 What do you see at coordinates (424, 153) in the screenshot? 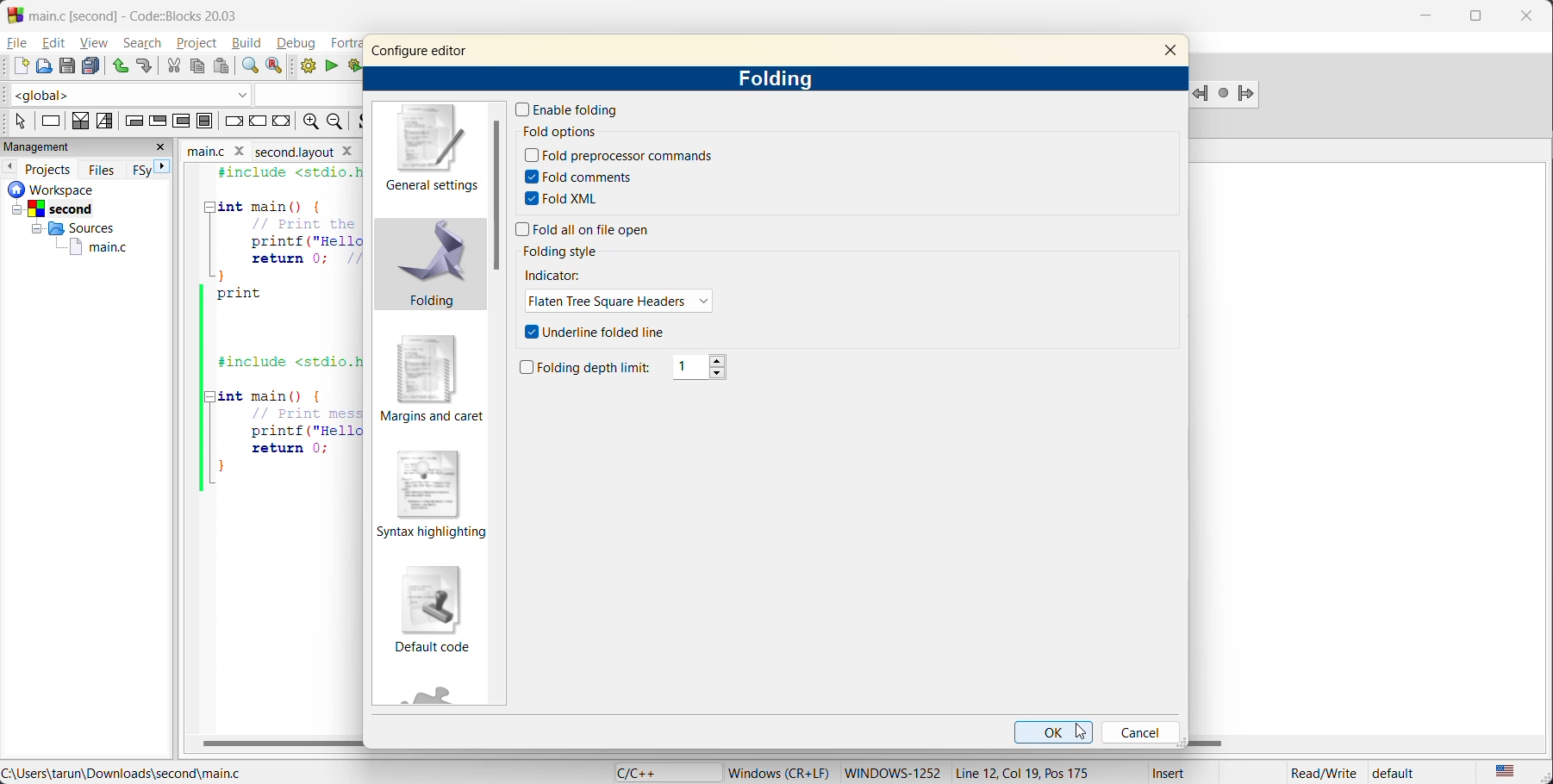
I see `general settings` at bounding box center [424, 153].